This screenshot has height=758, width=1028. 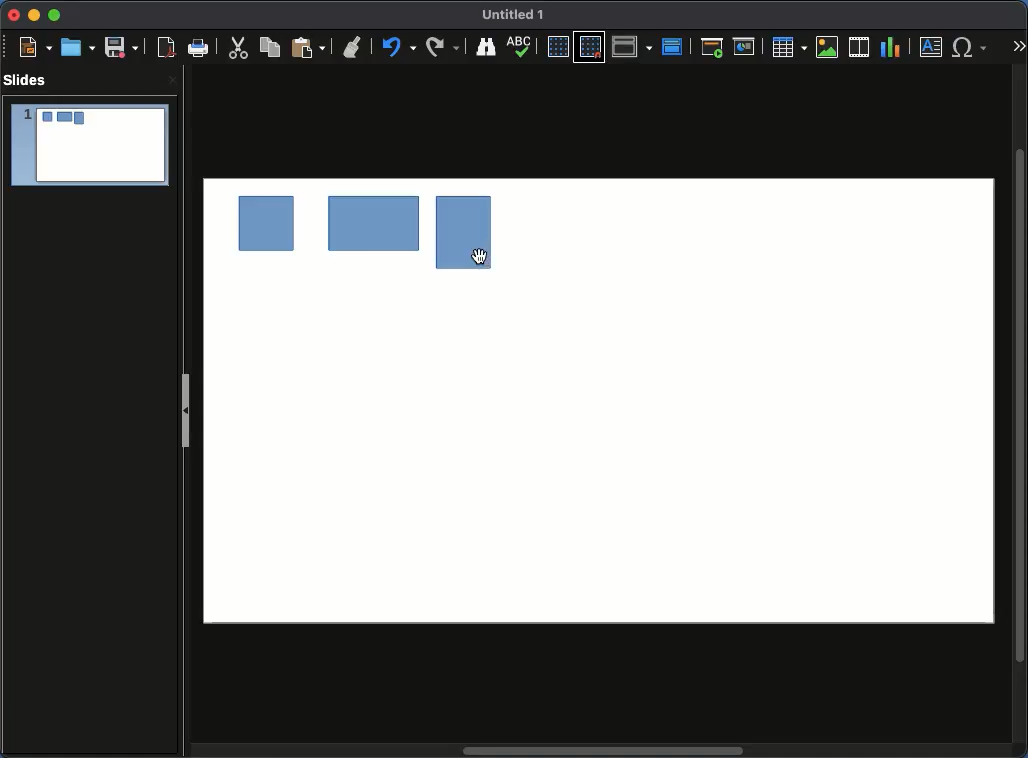 I want to click on Spelling, so click(x=485, y=47).